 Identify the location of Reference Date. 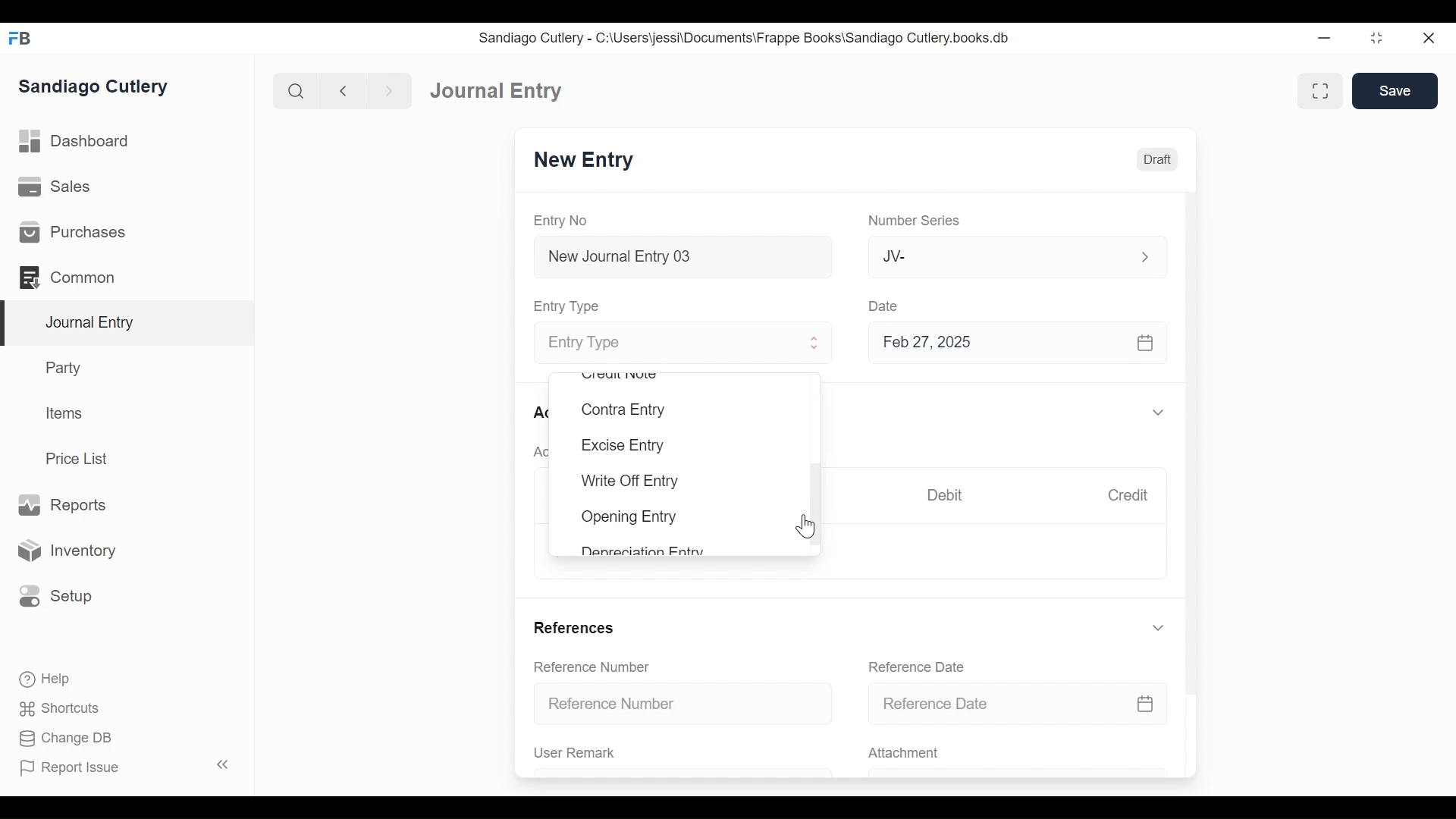
(919, 667).